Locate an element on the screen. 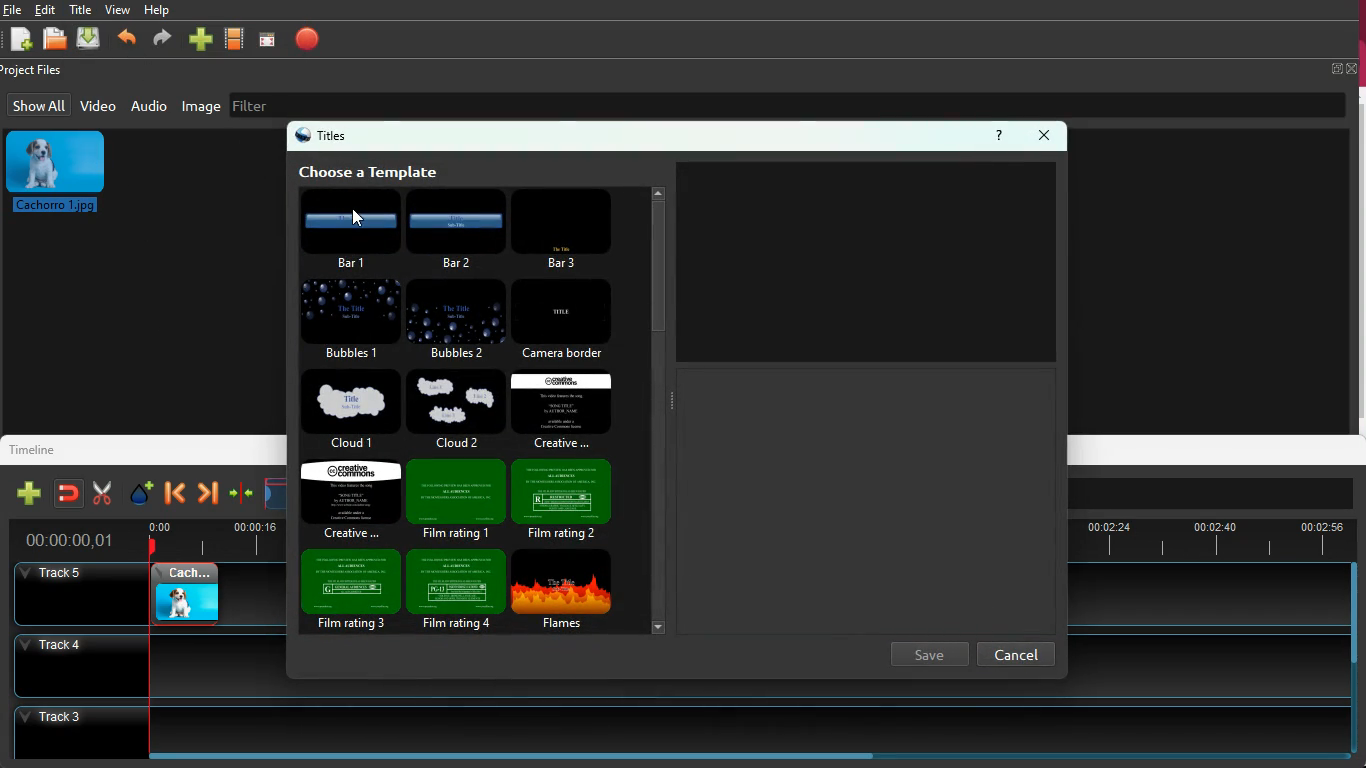 This screenshot has height=768, width=1366. flames is located at coordinates (562, 588).